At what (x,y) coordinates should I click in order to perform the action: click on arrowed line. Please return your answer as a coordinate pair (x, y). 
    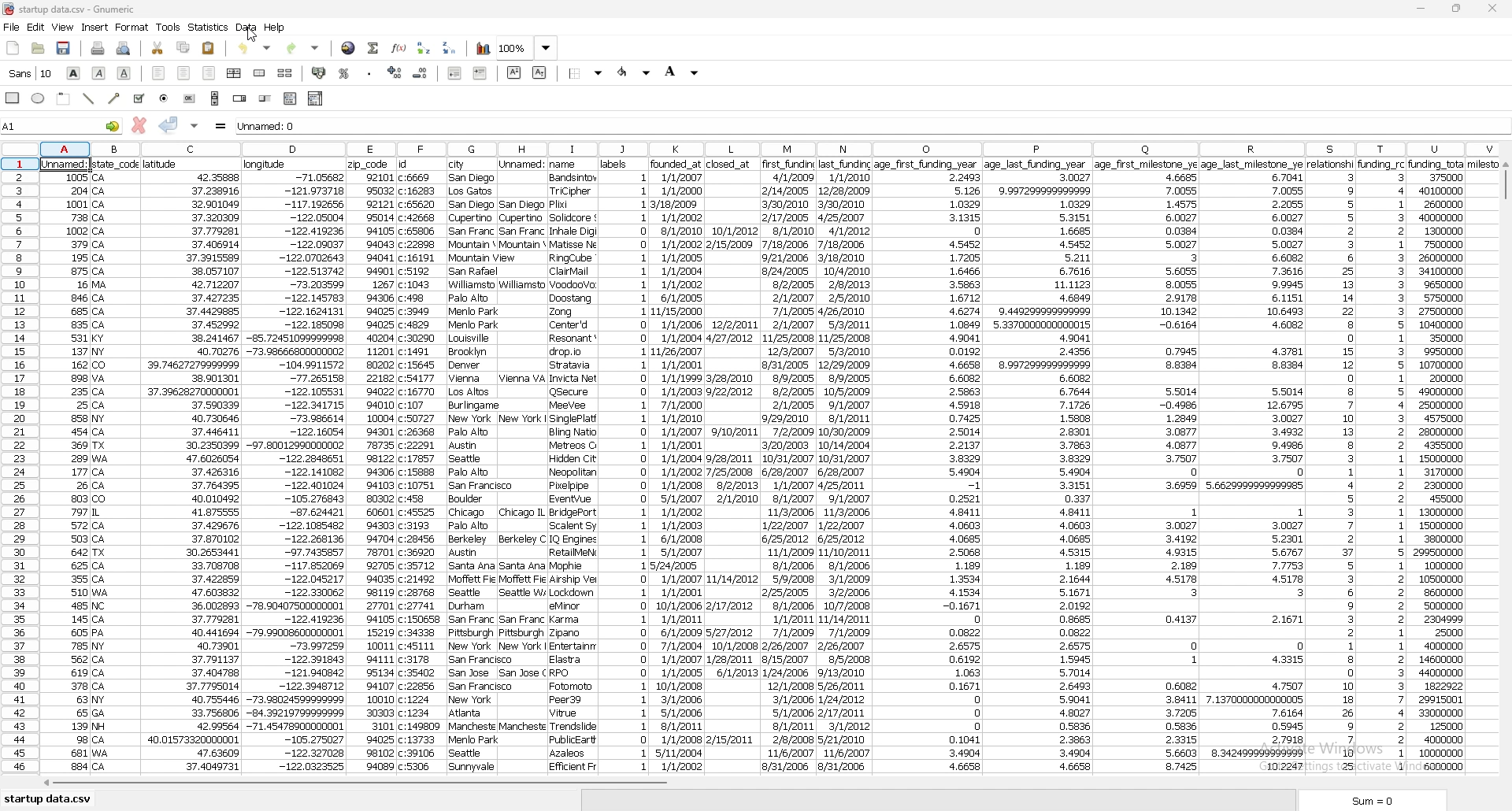
    Looking at the image, I should click on (116, 98).